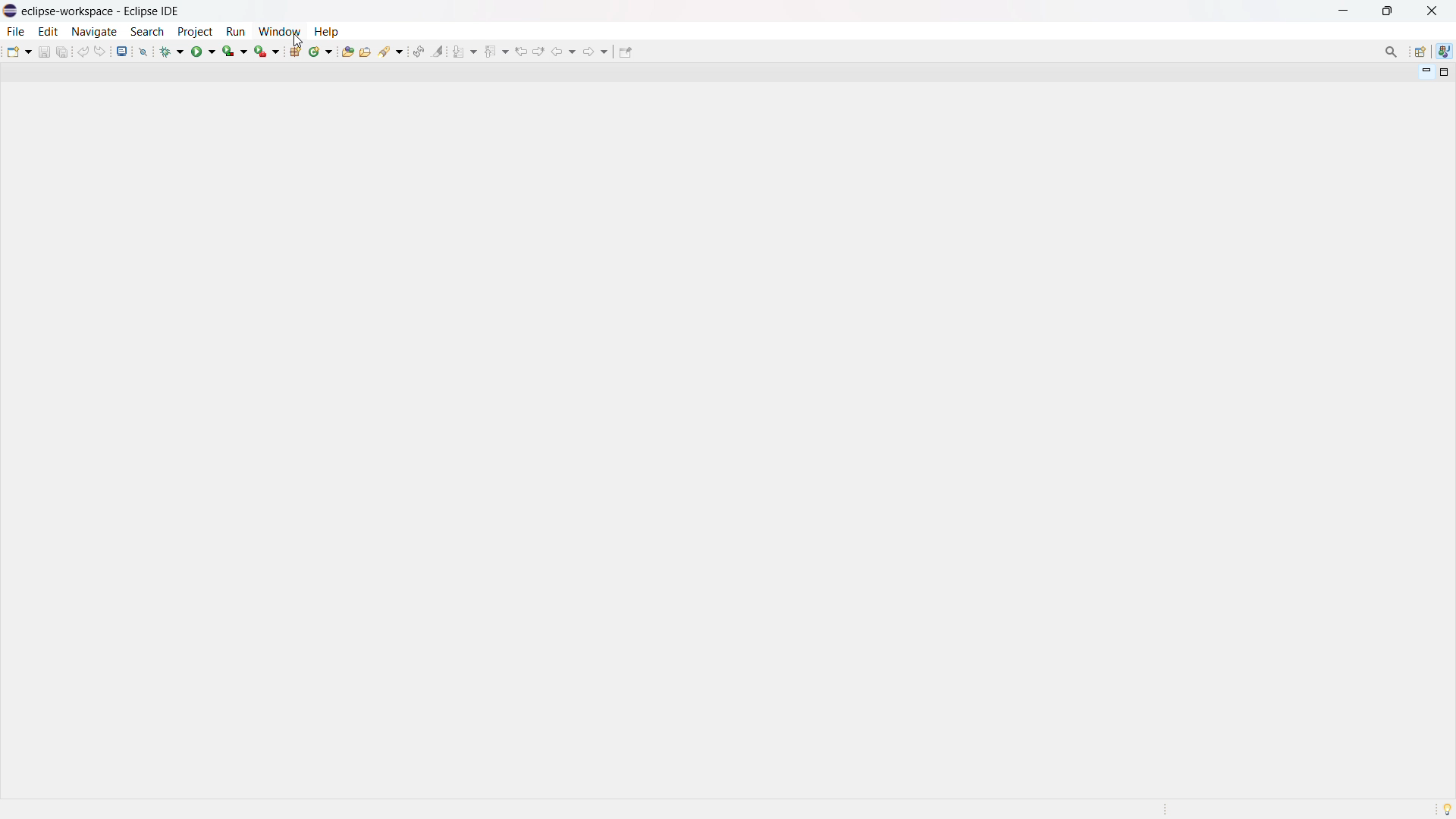  I want to click on open type, so click(347, 50).